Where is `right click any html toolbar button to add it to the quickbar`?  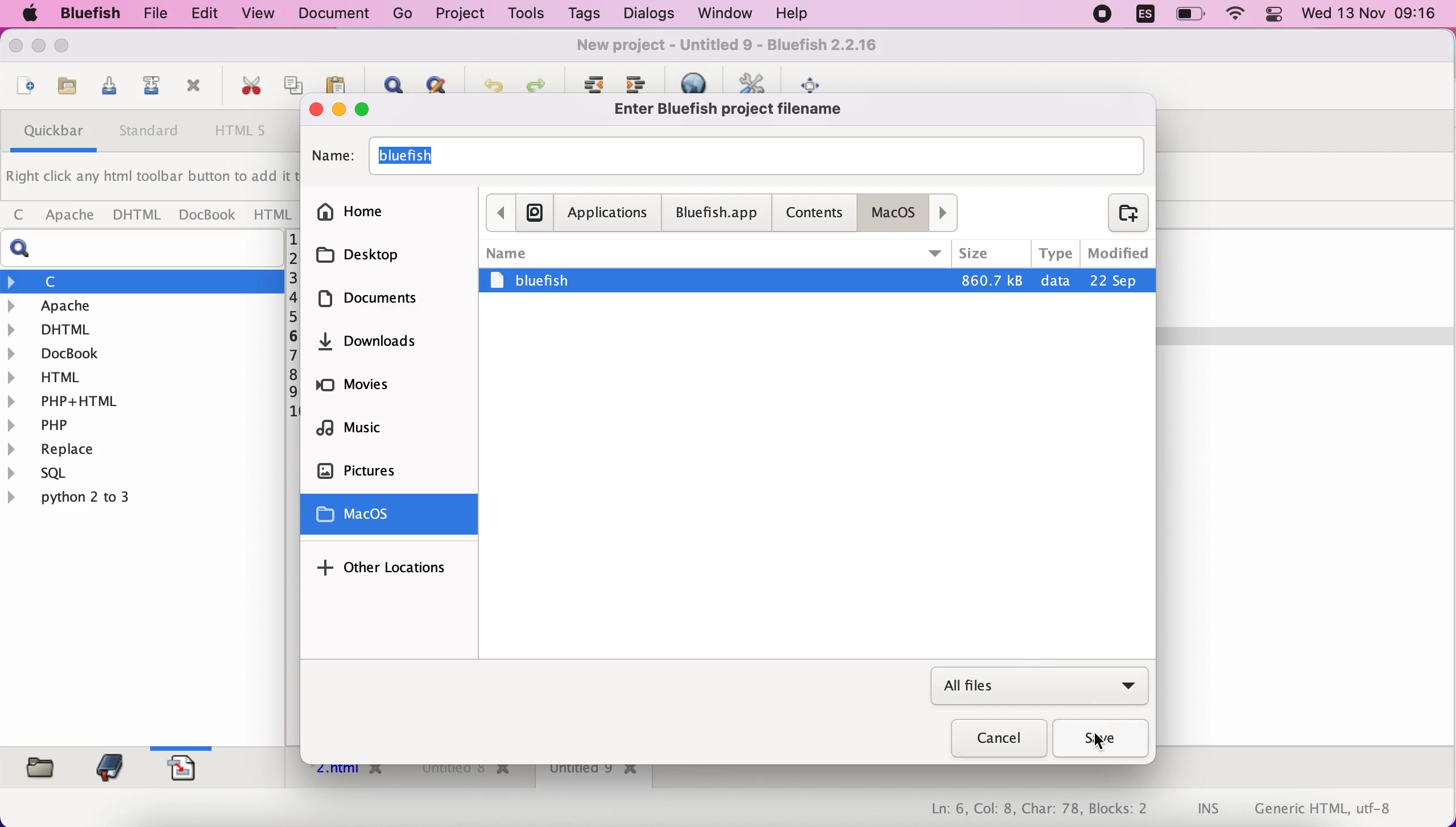 right click any html toolbar button to add it to the quickbar is located at coordinates (151, 180).